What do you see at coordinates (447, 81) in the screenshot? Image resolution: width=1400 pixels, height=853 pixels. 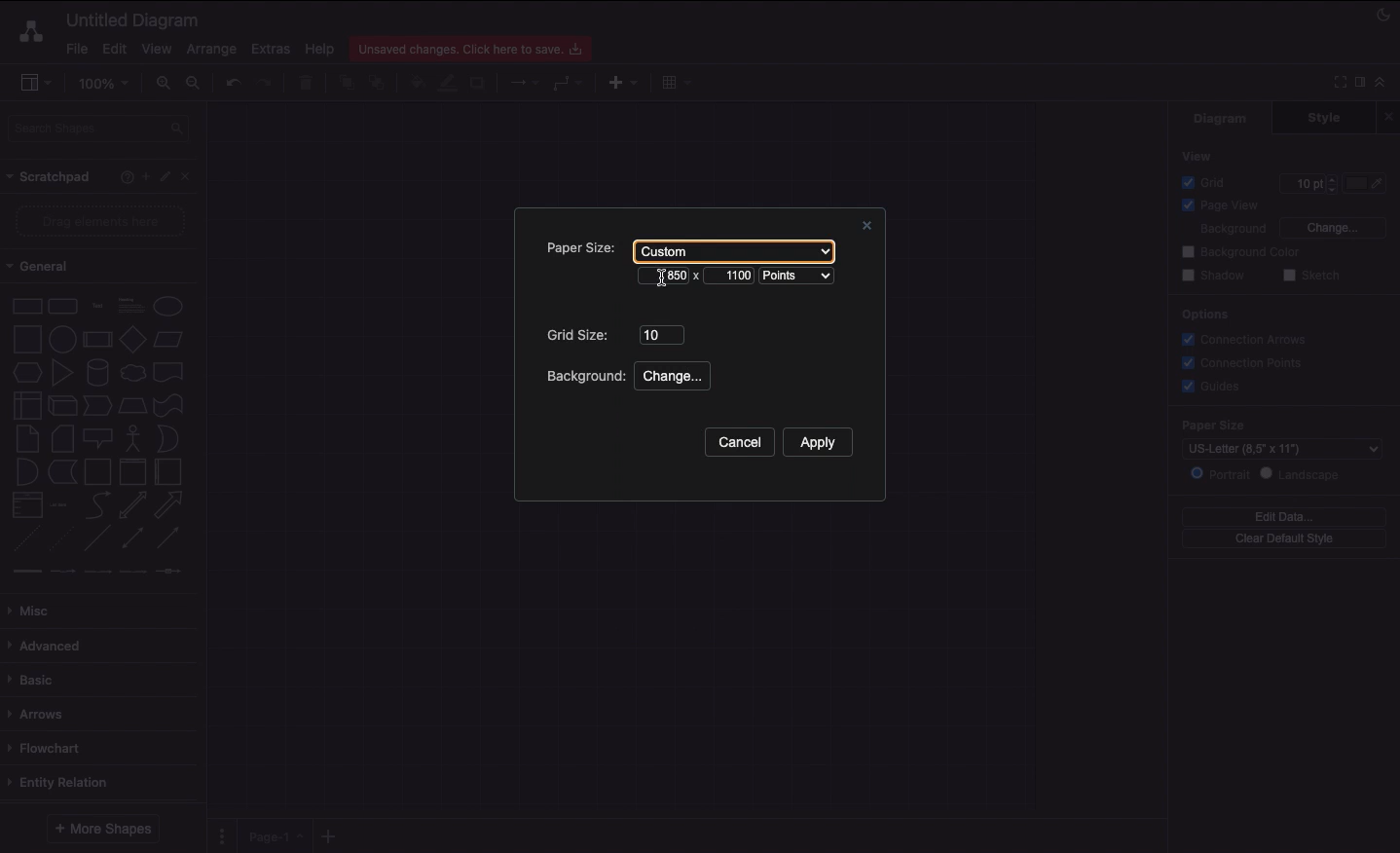 I see `Line color` at bounding box center [447, 81].